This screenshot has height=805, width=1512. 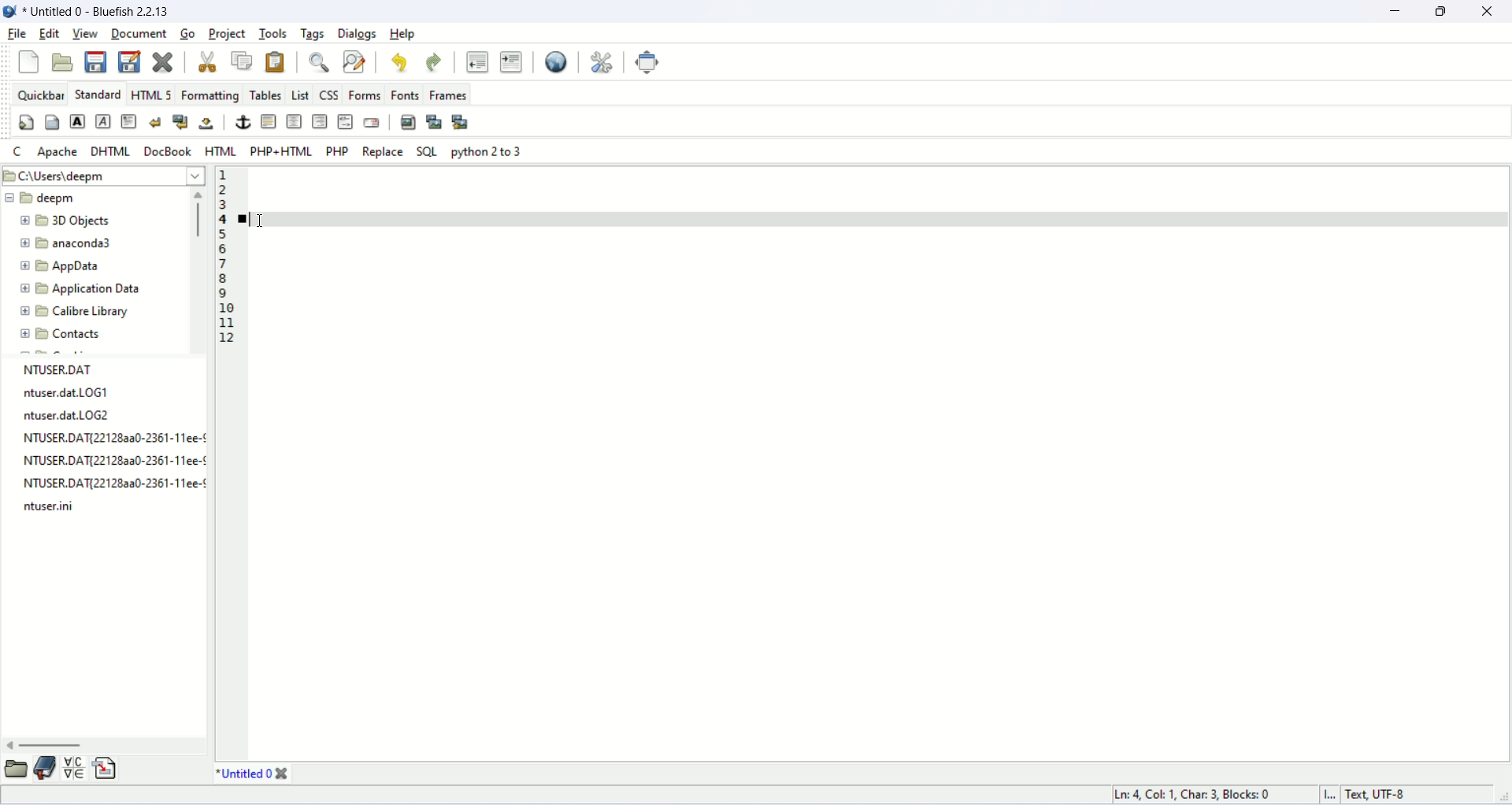 I want to click on STANDARD, so click(x=98, y=93).